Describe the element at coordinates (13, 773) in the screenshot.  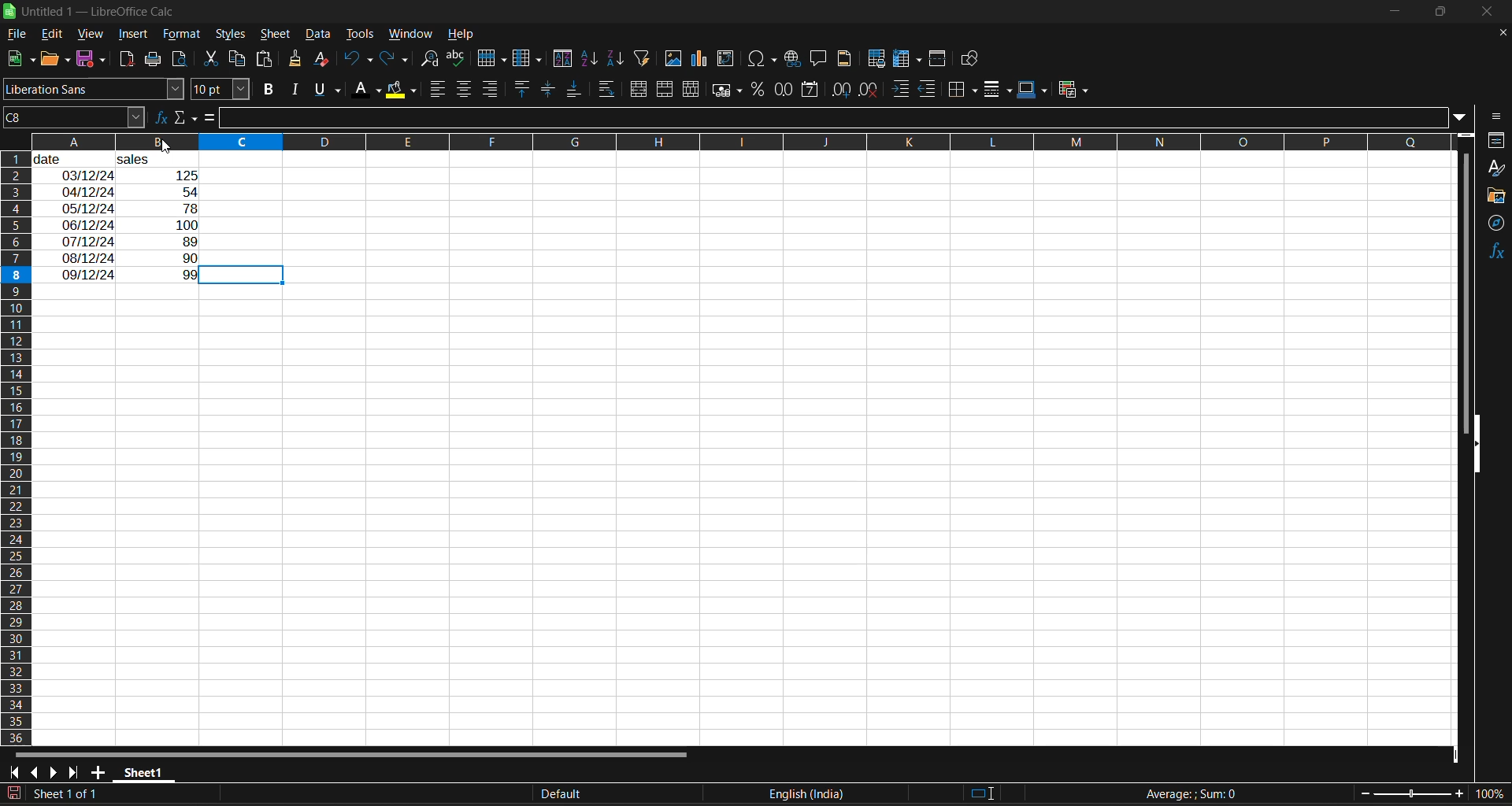
I see `scroll to first sheet` at that location.